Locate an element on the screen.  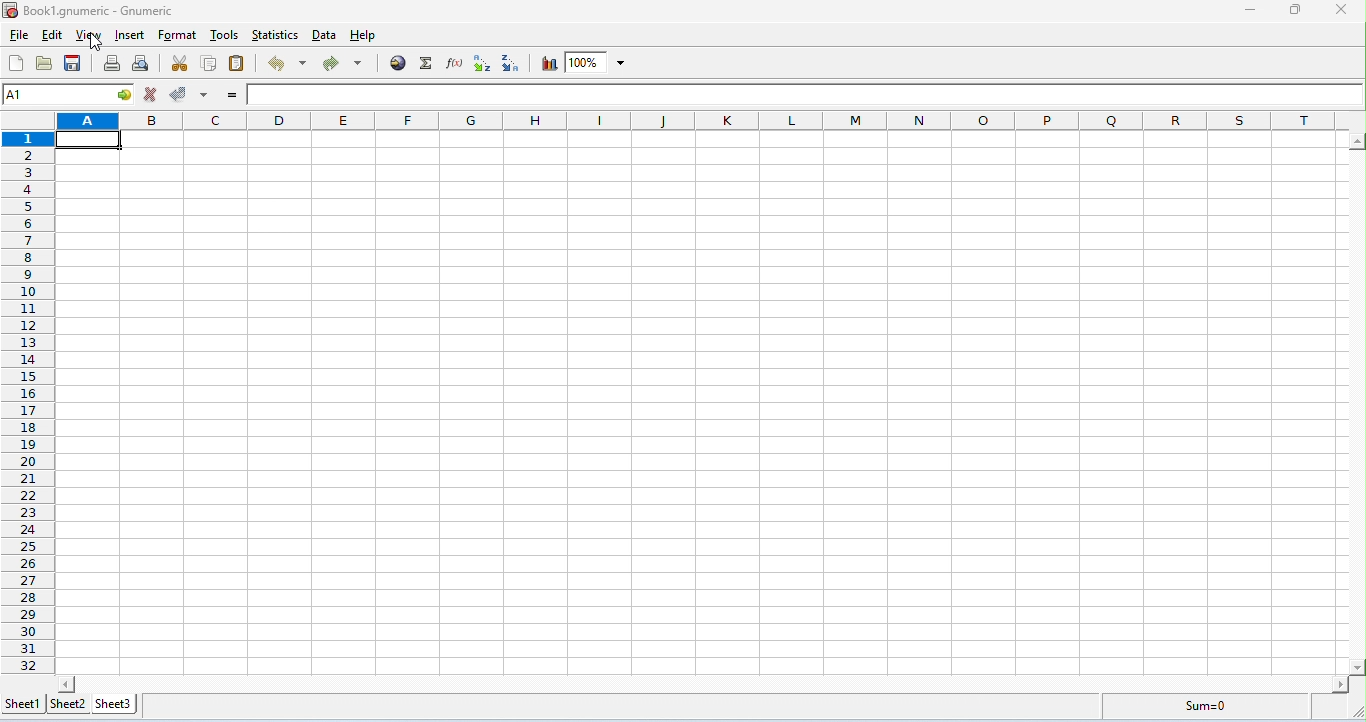
cell options is located at coordinates (123, 95).